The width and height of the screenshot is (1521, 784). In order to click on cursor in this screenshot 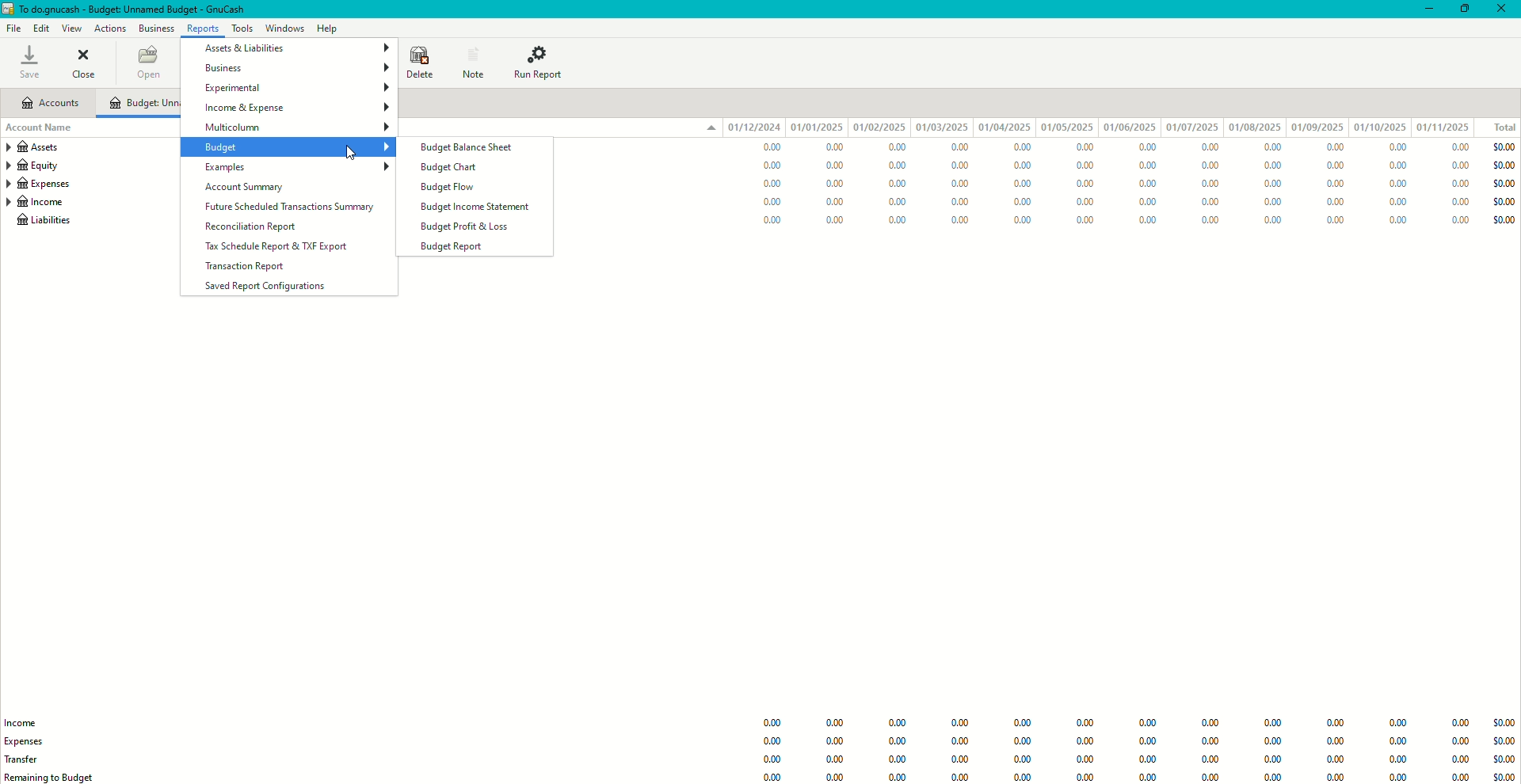, I will do `click(345, 150)`.